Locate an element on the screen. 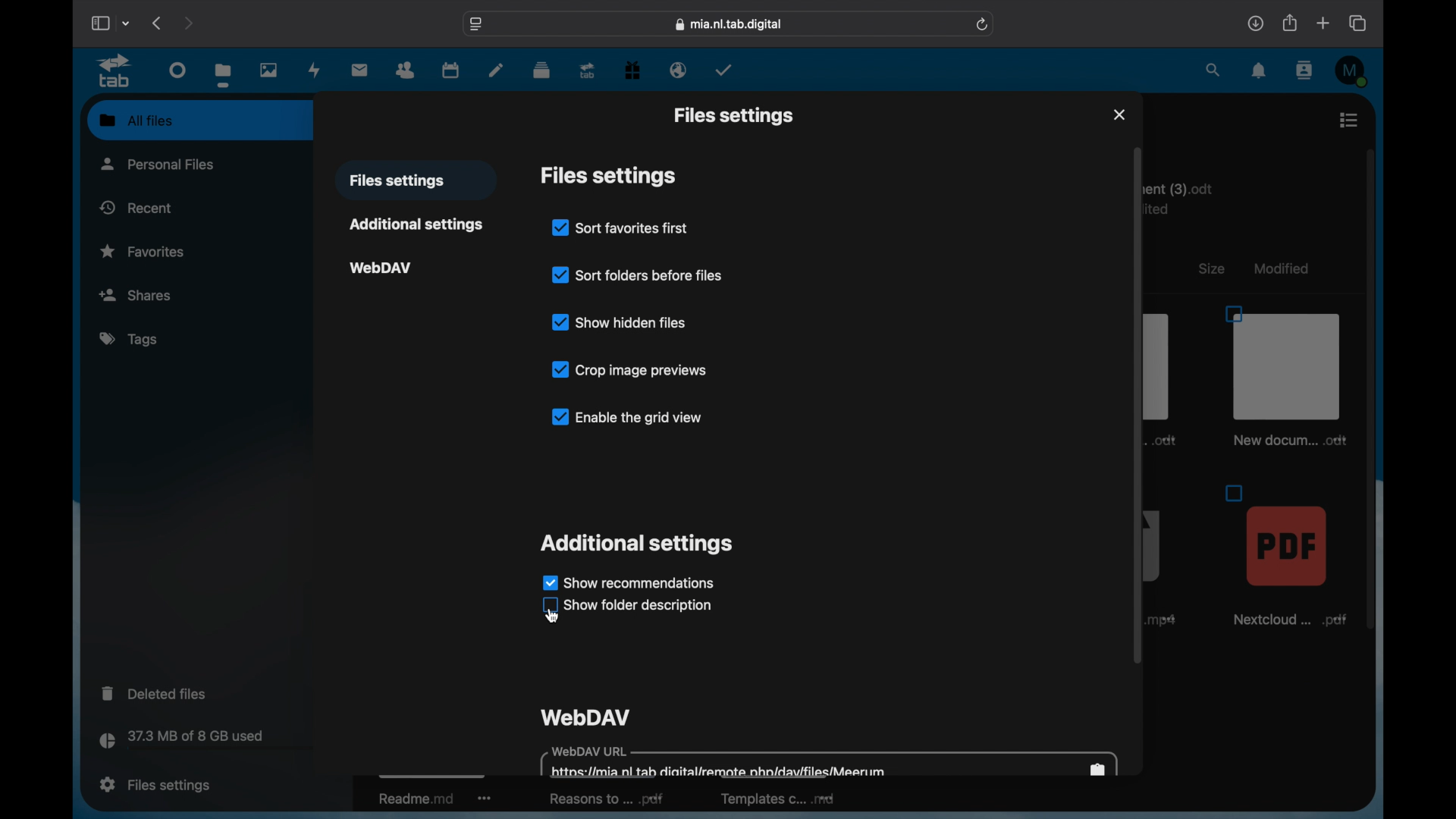 The image size is (1456, 819). calendar is located at coordinates (451, 70).